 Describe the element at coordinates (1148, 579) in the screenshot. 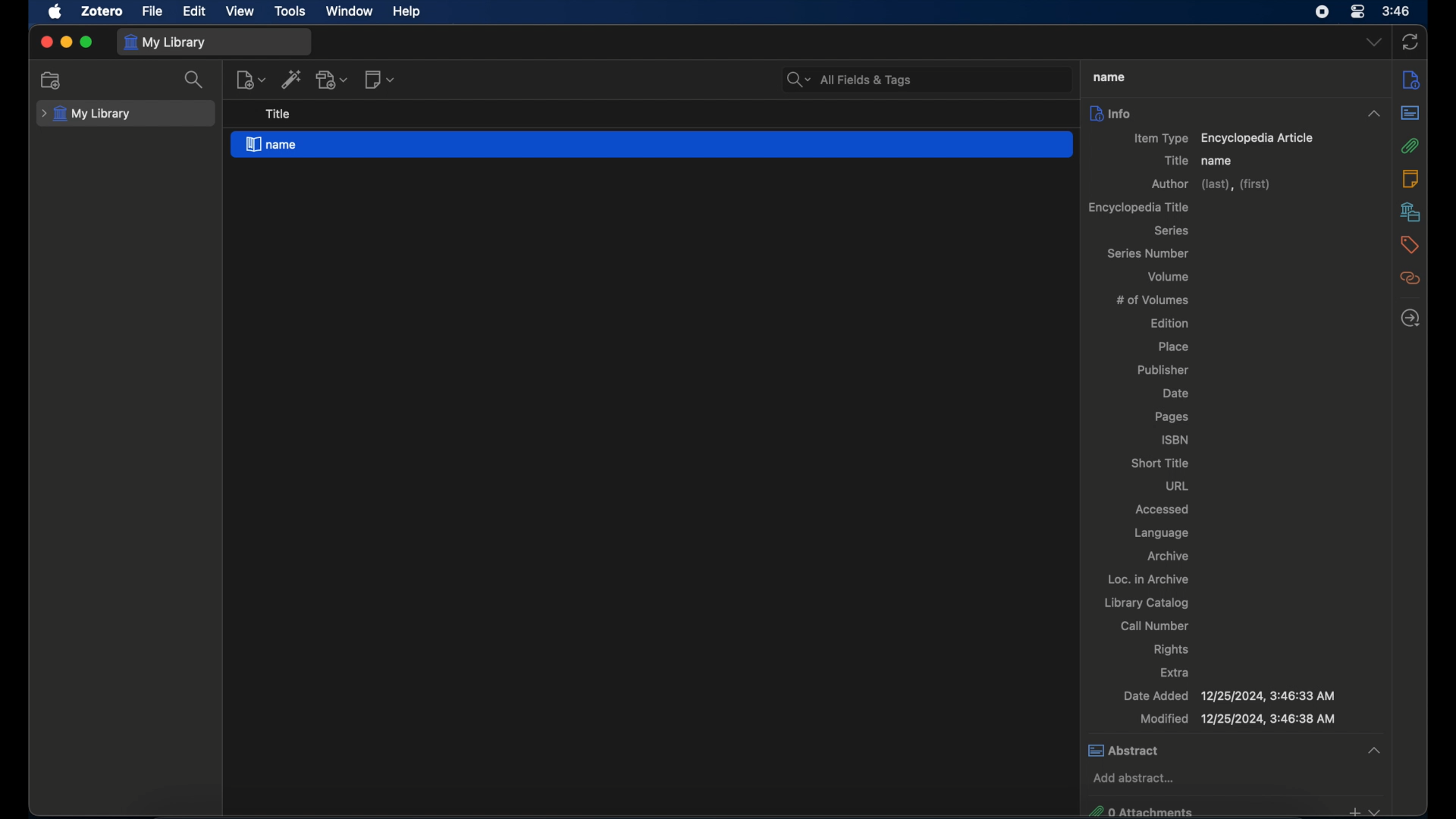

I see `loc. in archive` at that location.